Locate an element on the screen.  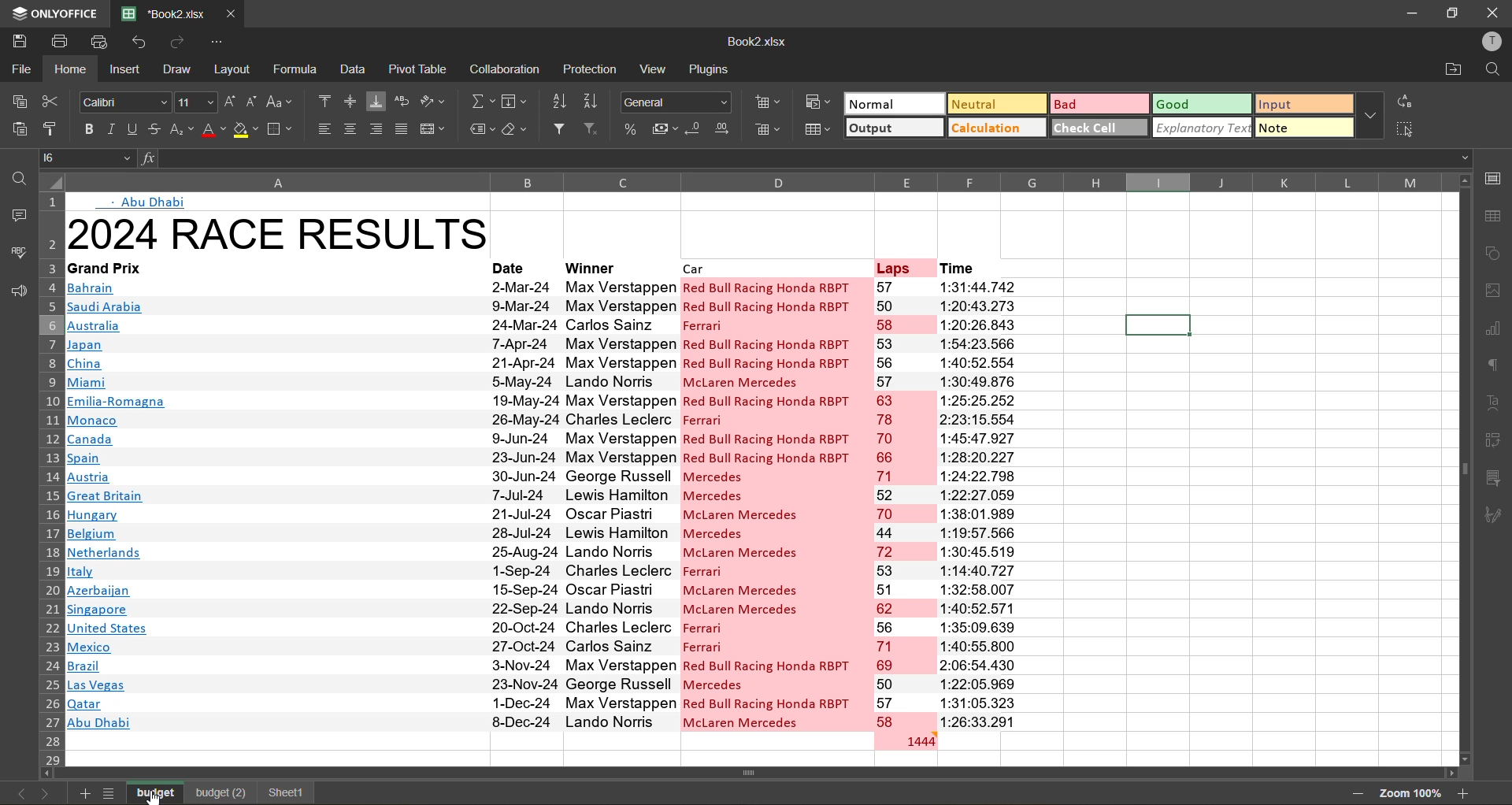
signature is located at coordinates (1498, 515).